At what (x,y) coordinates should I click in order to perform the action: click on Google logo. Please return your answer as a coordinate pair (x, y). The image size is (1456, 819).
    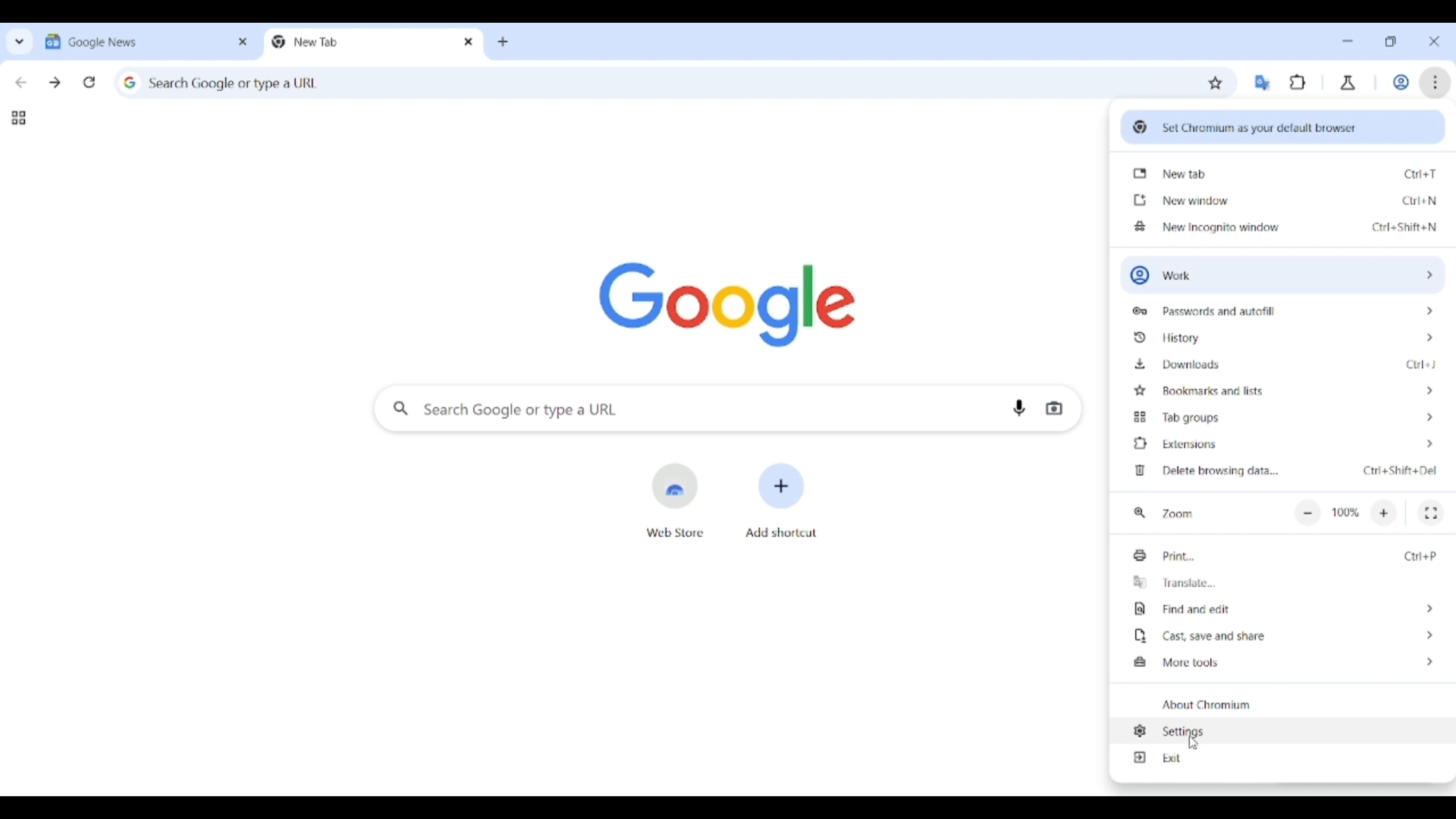
    Looking at the image, I should click on (726, 304).